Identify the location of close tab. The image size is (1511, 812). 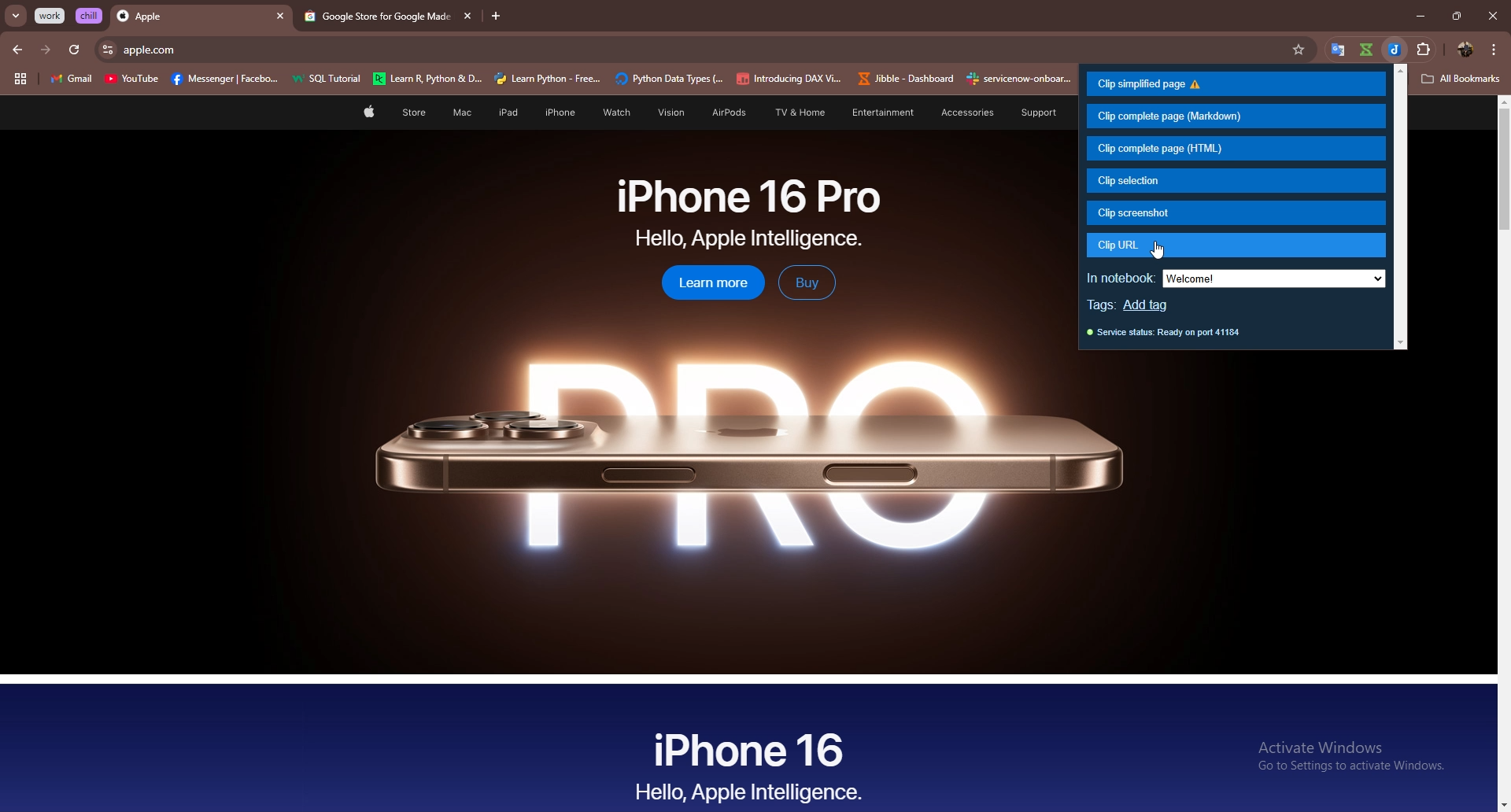
(465, 16).